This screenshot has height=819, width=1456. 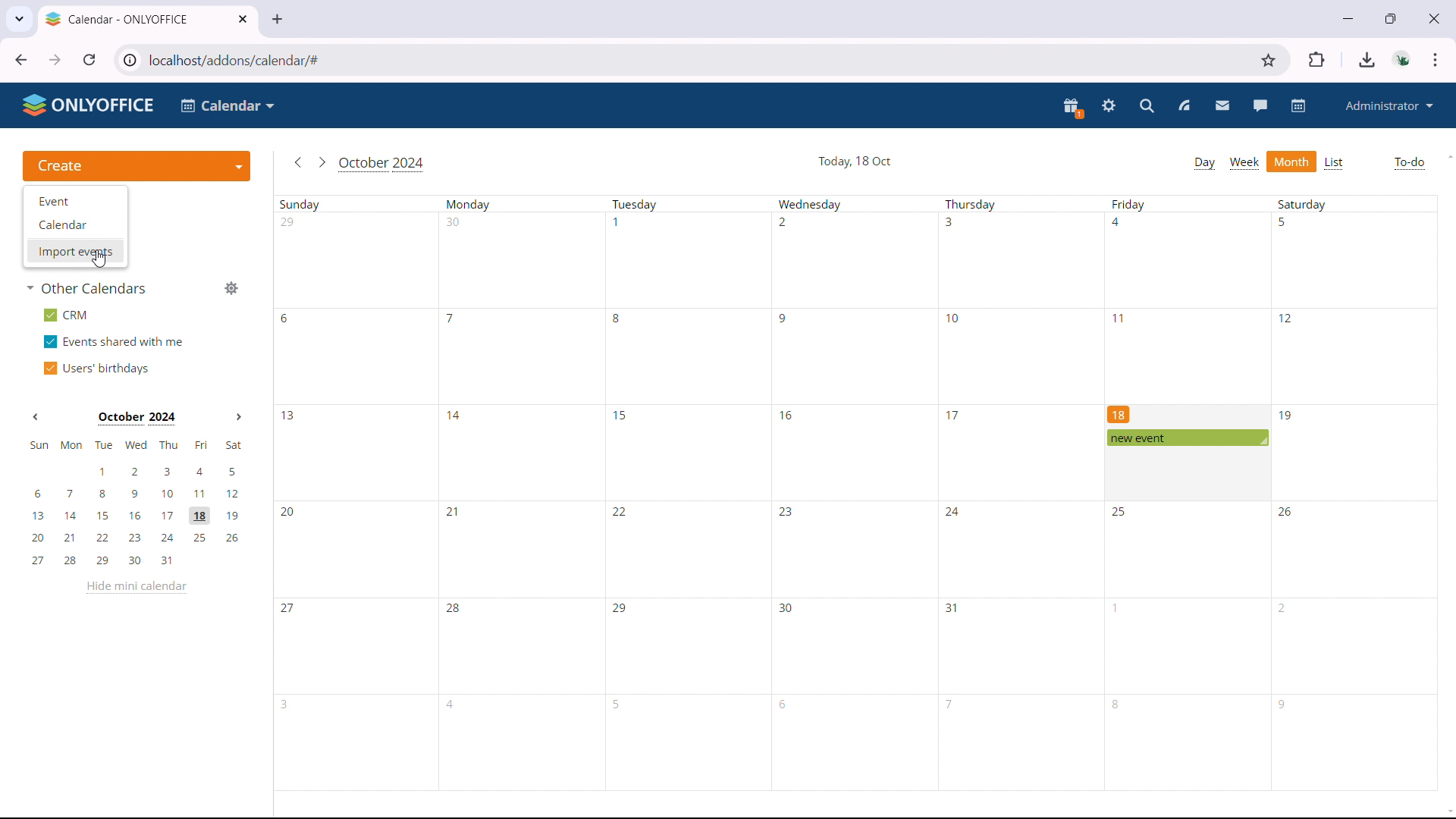 I want to click on 7, so click(x=452, y=319).